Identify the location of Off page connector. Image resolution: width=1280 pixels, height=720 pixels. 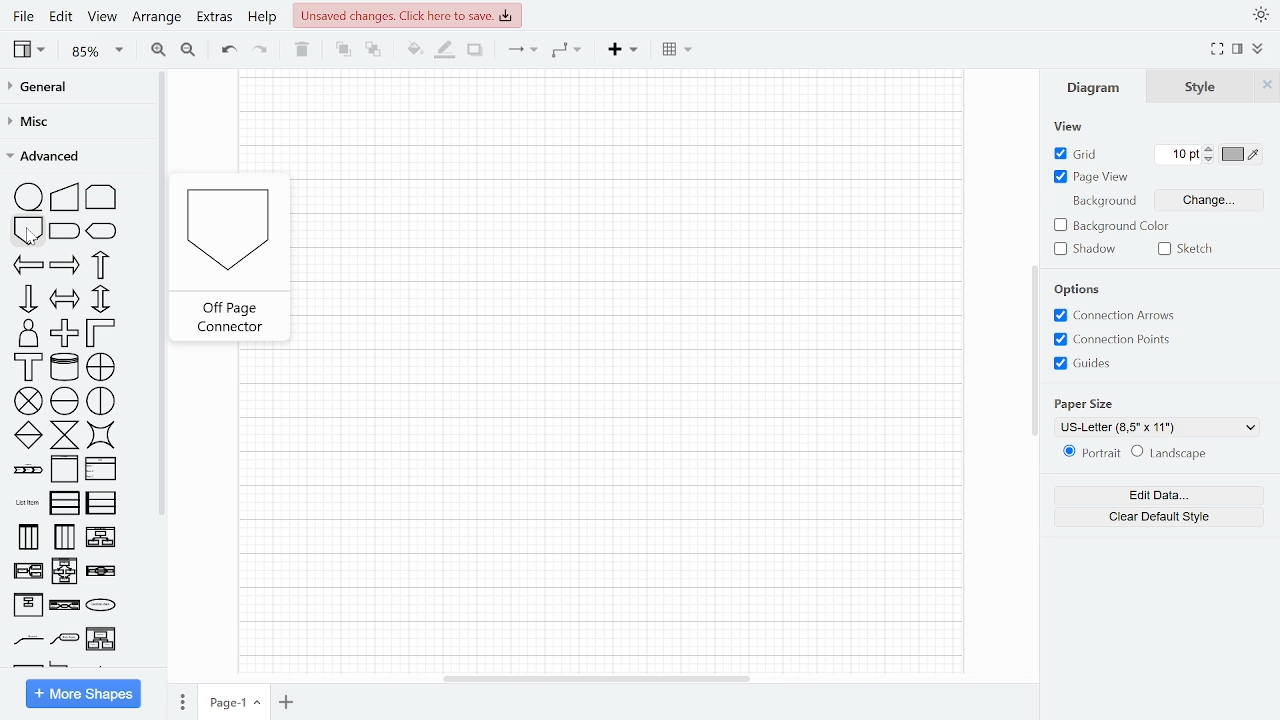
(232, 312).